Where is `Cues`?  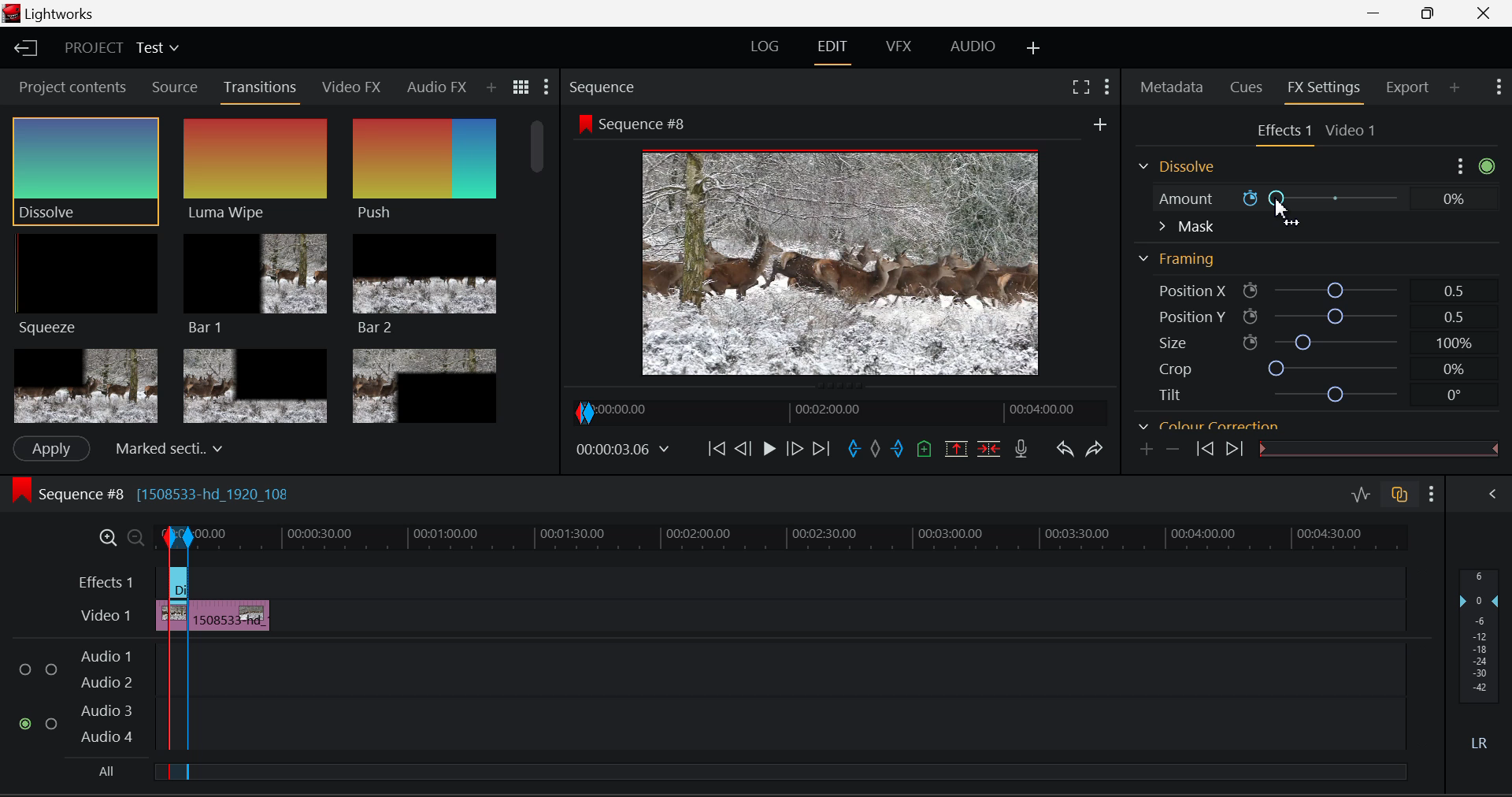 Cues is located at coordinates (1244, 88).